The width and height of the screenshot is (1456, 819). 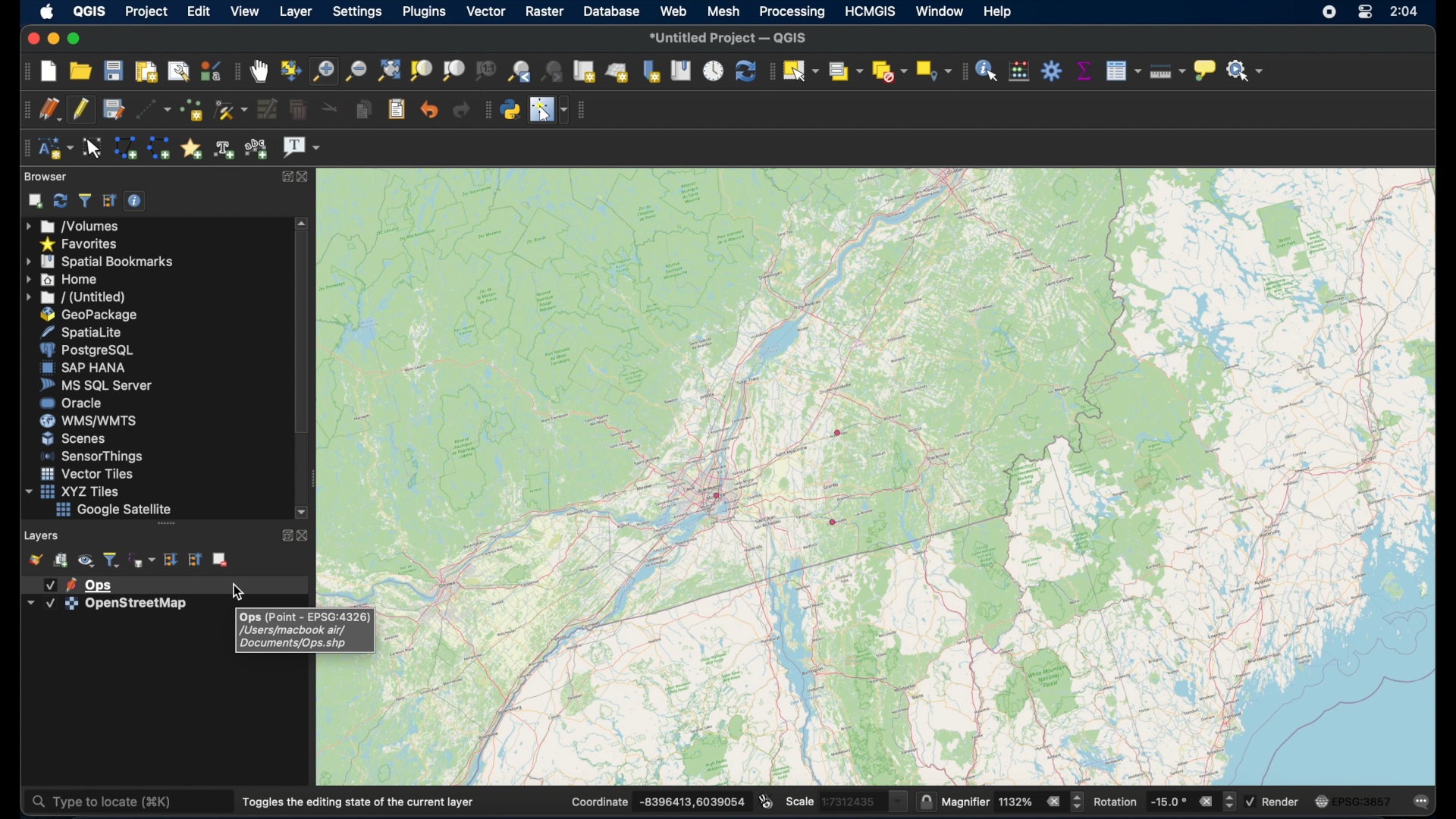 I want to click on postgresql, so click(x=83, y=349).